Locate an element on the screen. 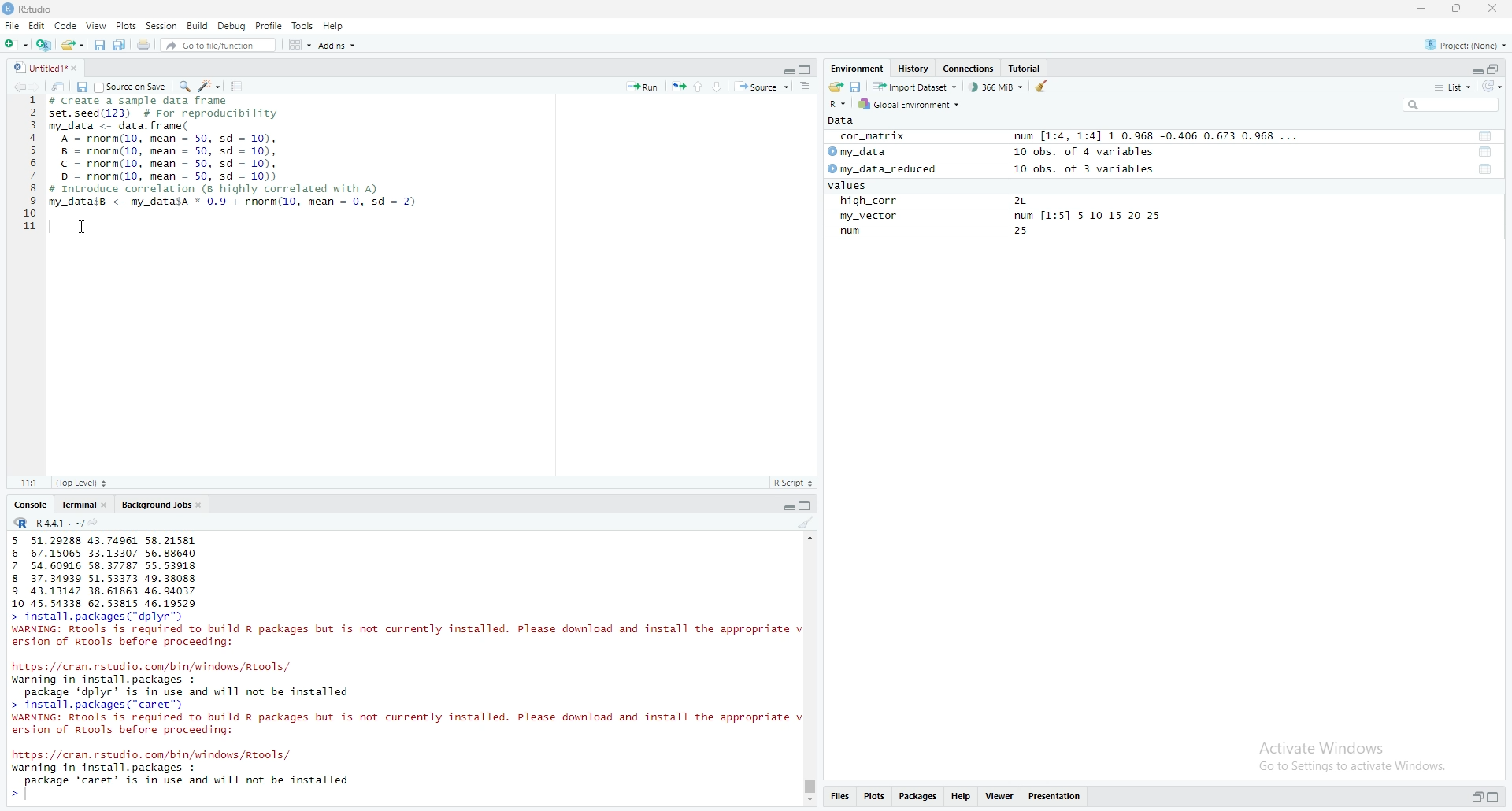 This screenshot has height=811, width=1512. Plots is located at coordinates (873, 796).